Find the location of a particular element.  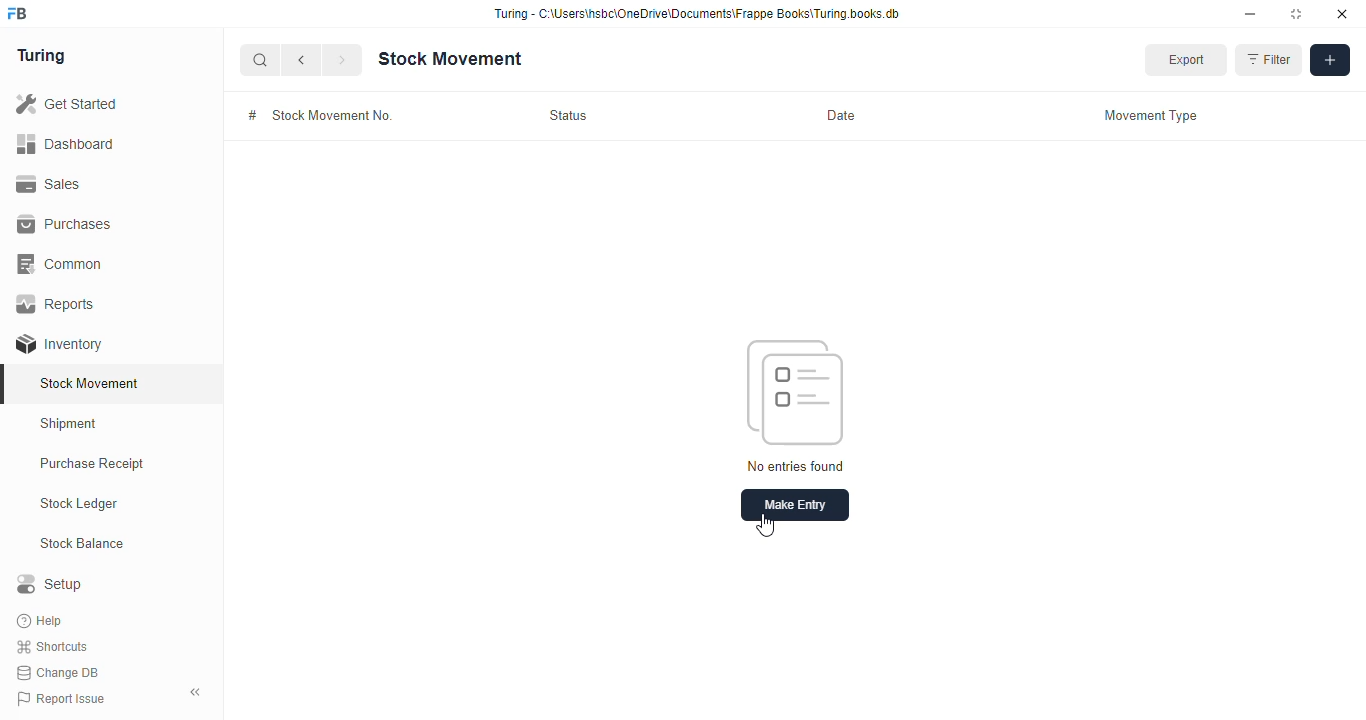

status is located at coordinates (569, 116).